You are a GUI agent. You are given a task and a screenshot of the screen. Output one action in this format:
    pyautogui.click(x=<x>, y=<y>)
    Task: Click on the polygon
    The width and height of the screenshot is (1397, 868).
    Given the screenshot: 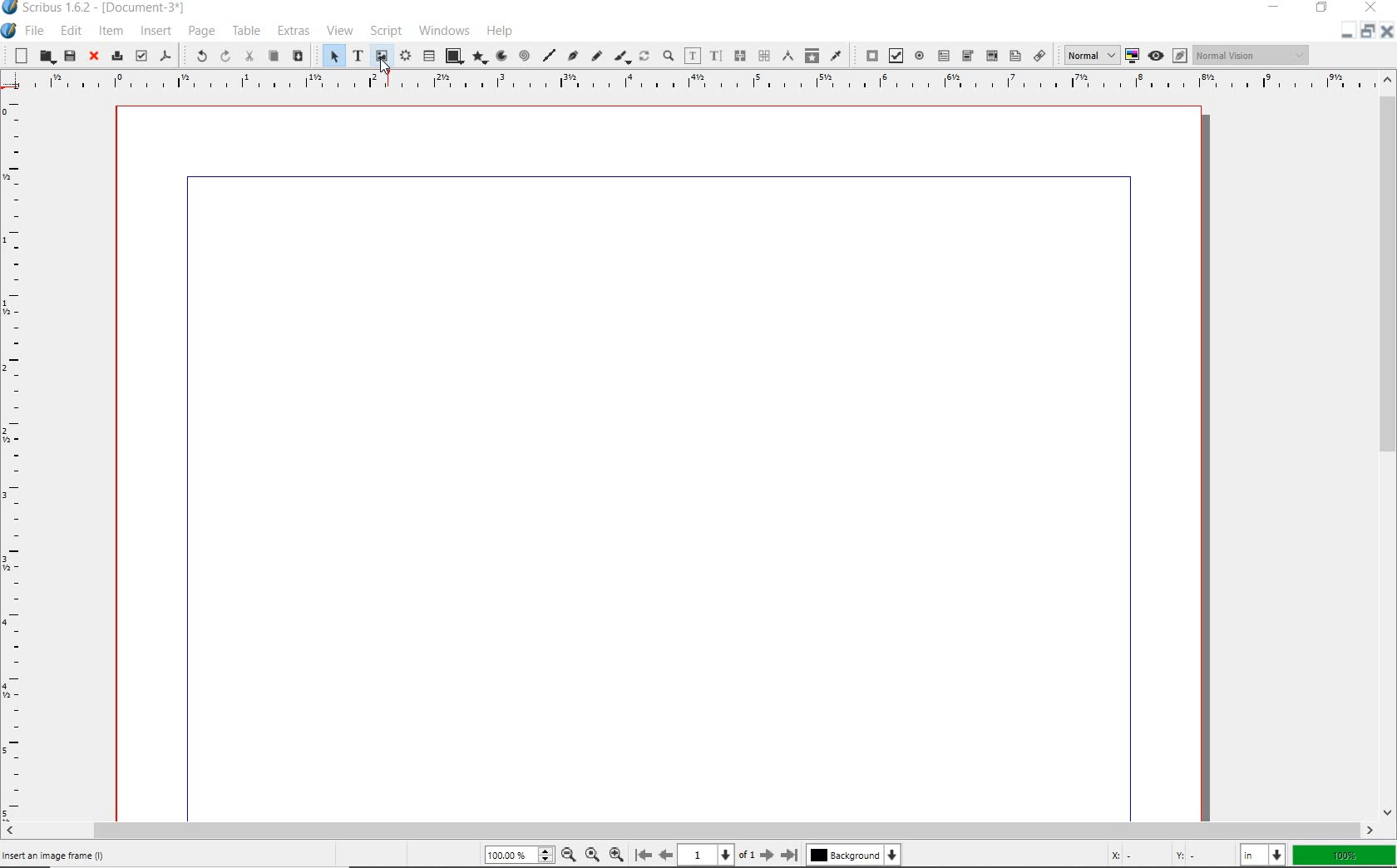 What is the action you would take?
    pyautogui.click(x=480, y=57)
    